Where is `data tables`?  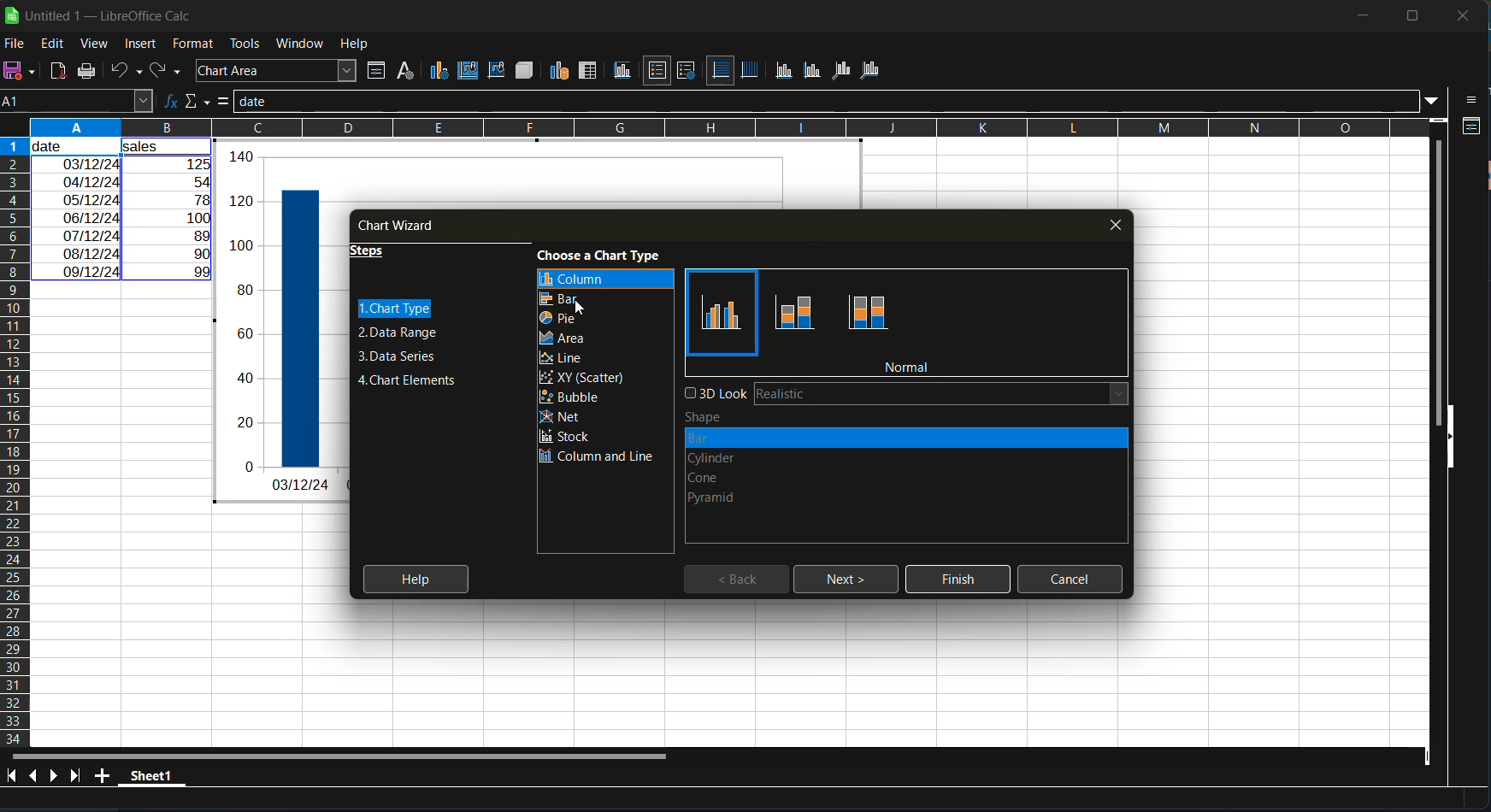 data tables is located at coordinates (589, 72).